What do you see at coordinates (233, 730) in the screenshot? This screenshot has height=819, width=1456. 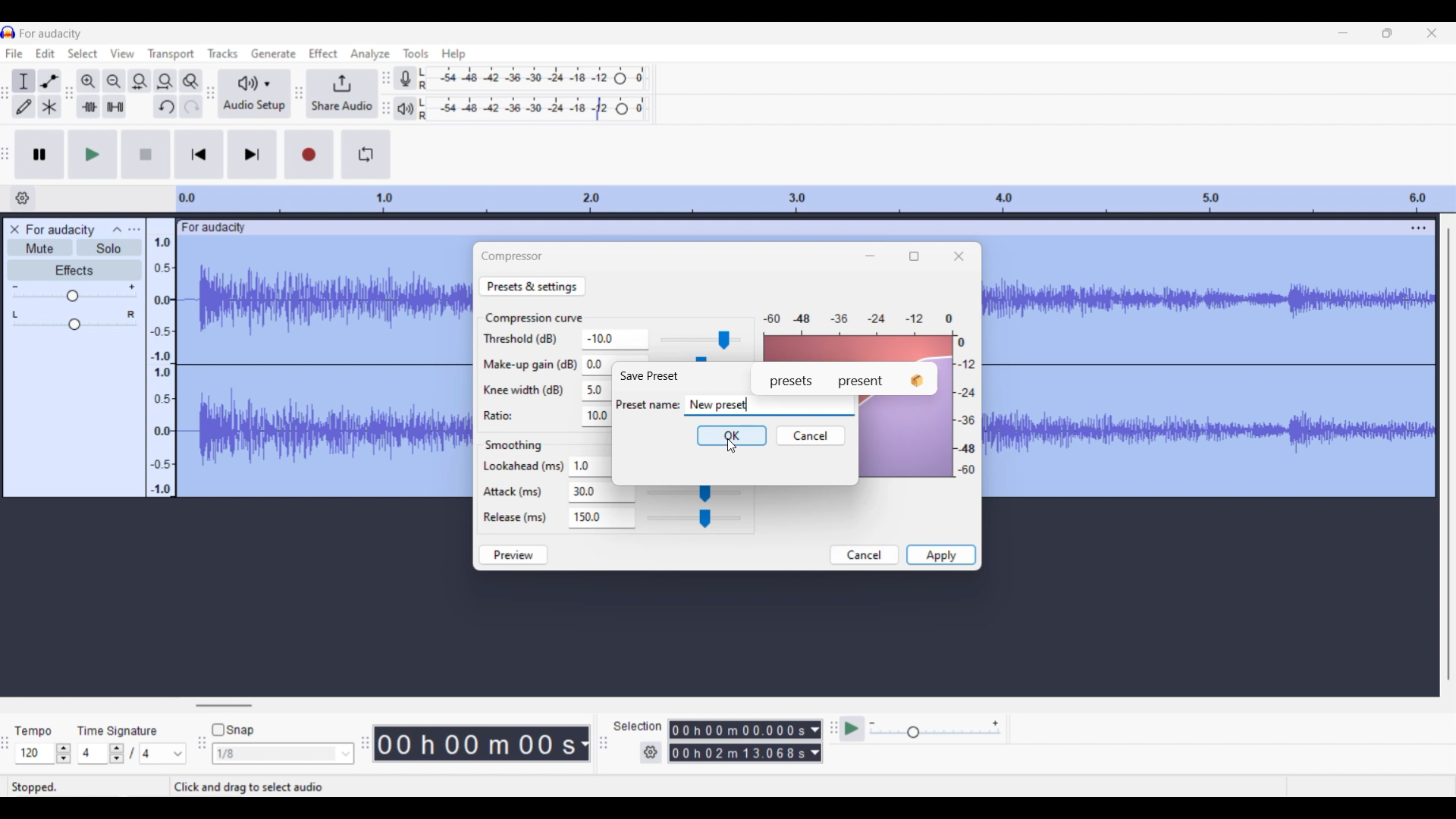 I see `Snap` at bounding box center [233, 730].